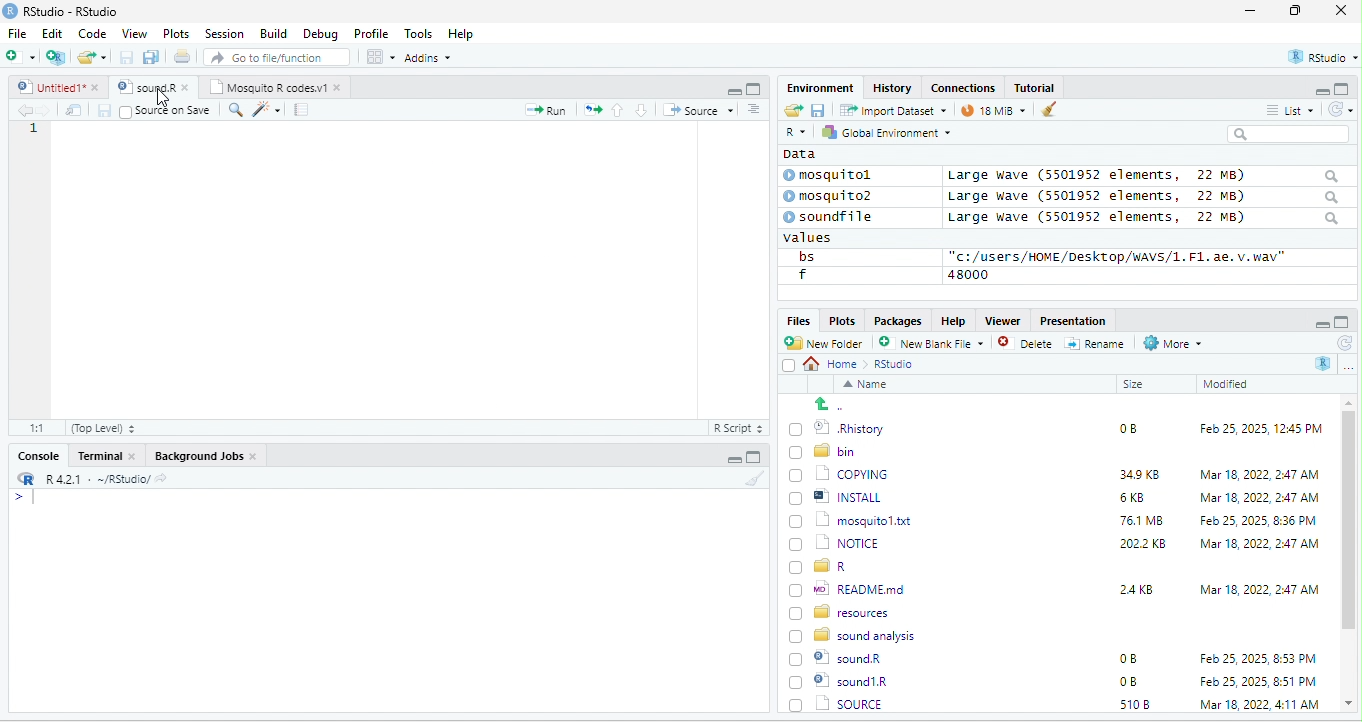  Describe the element at coordinates (1144, 545) in the screenshot. I see `2022 KB` at that location.